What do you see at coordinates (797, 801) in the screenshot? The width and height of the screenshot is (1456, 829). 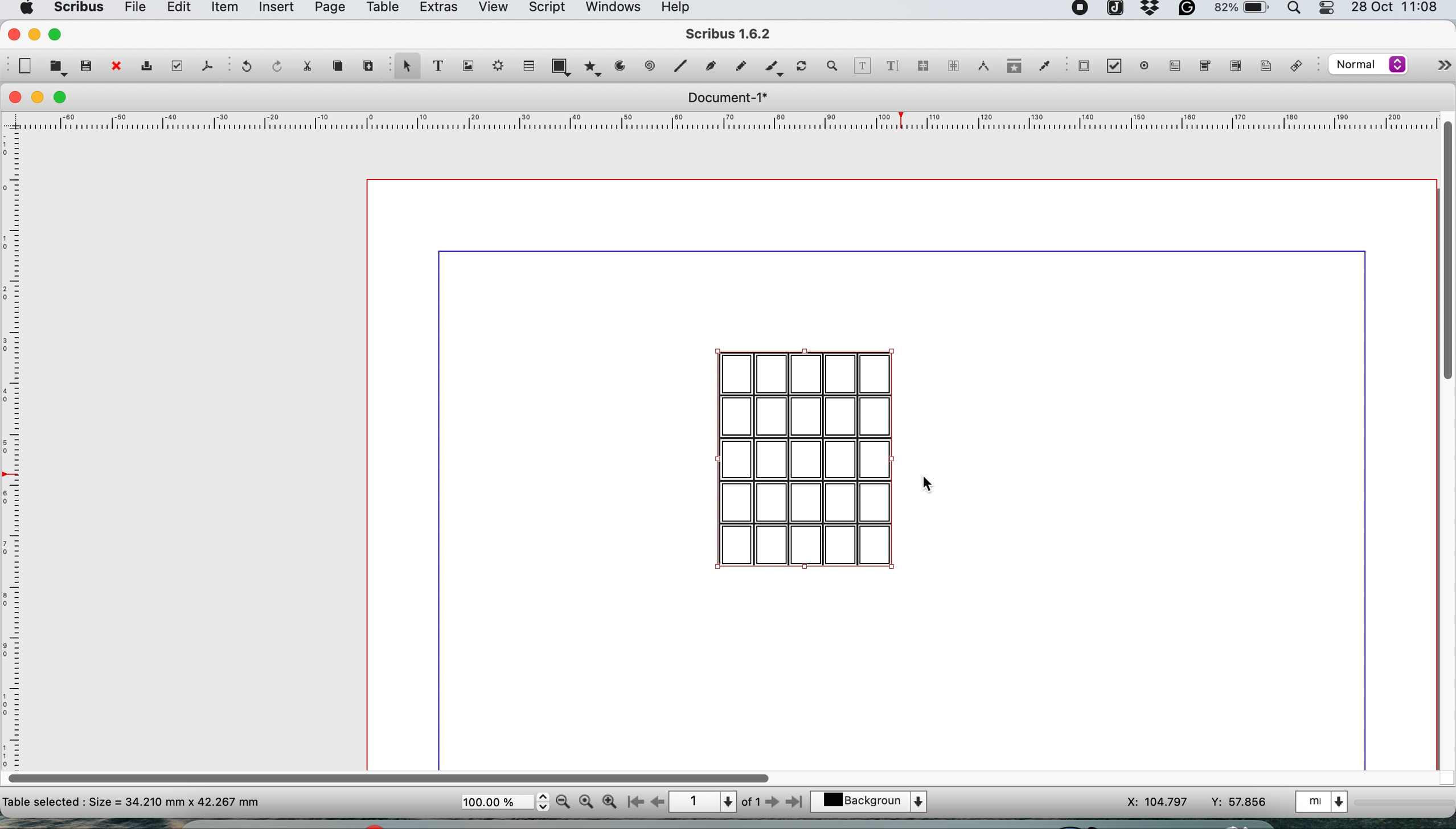 I see `go to last page` at bounding box center [797, 801].